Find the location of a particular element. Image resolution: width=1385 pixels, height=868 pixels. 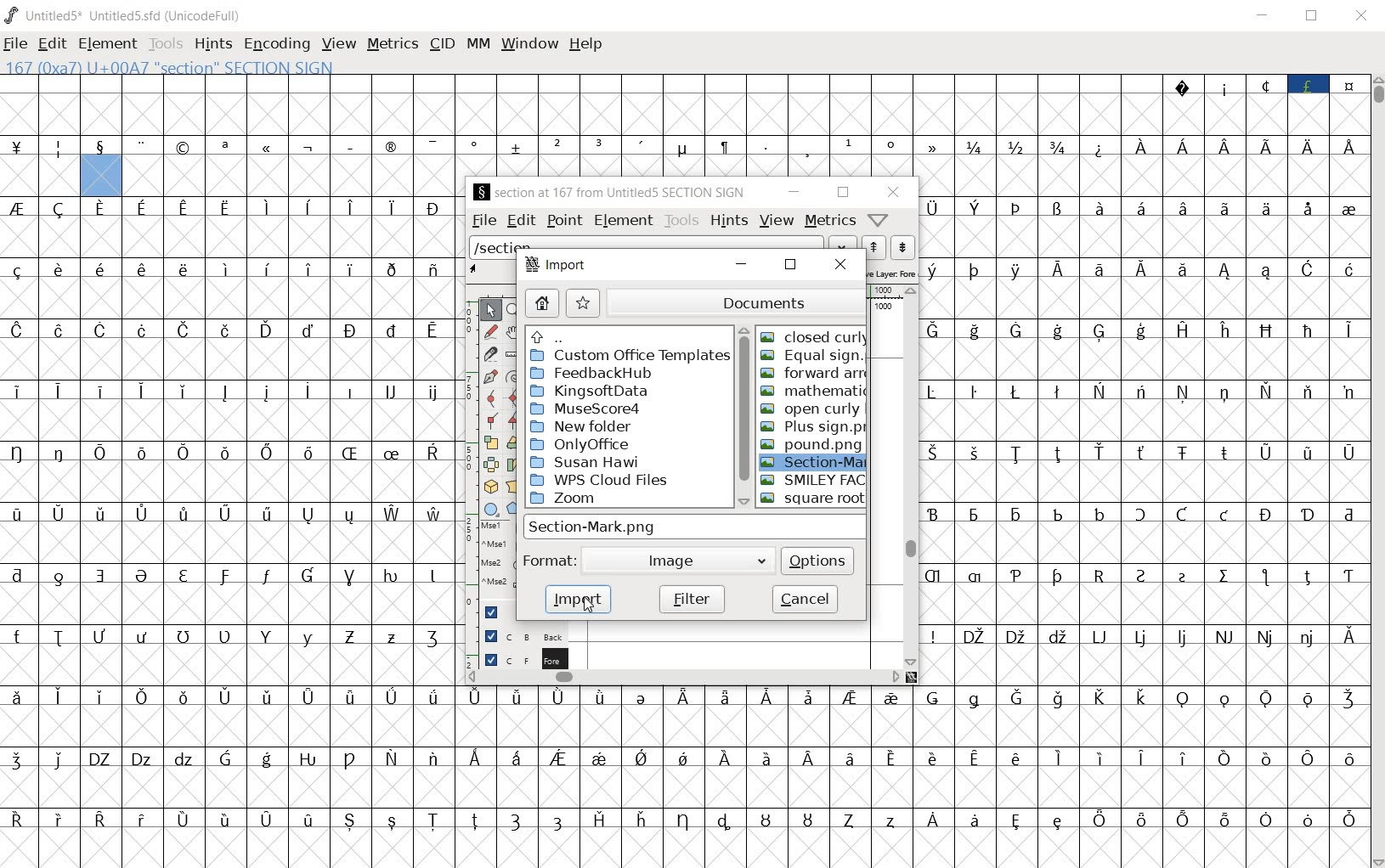

MuseCcore4 is located at coordinates (585, 409).